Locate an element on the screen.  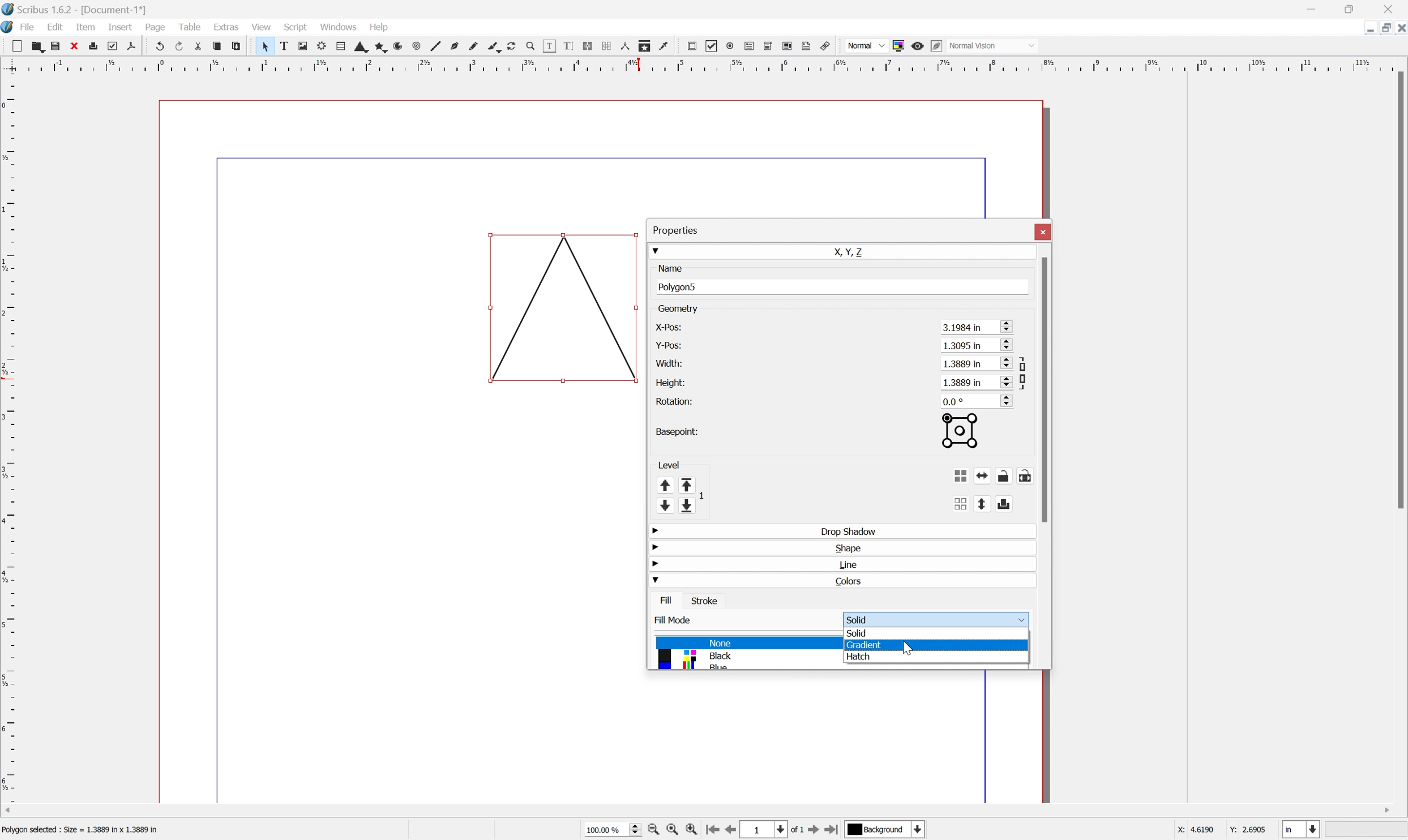
0.0° is located at coordinates (970, 401).